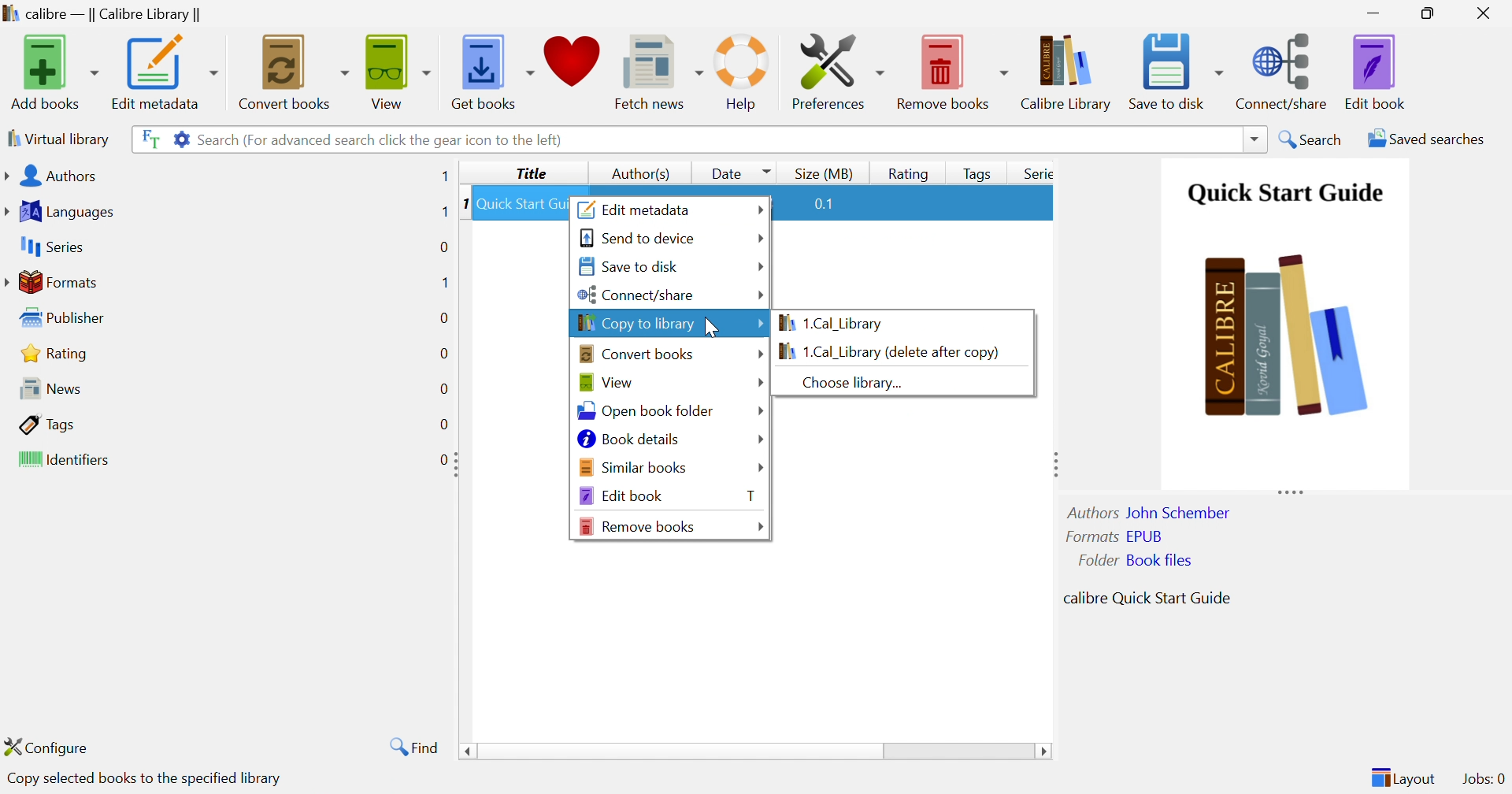  Describe the element at coordinates (1066, 72) in the screenshot. I see `Calibre Library` at that location.